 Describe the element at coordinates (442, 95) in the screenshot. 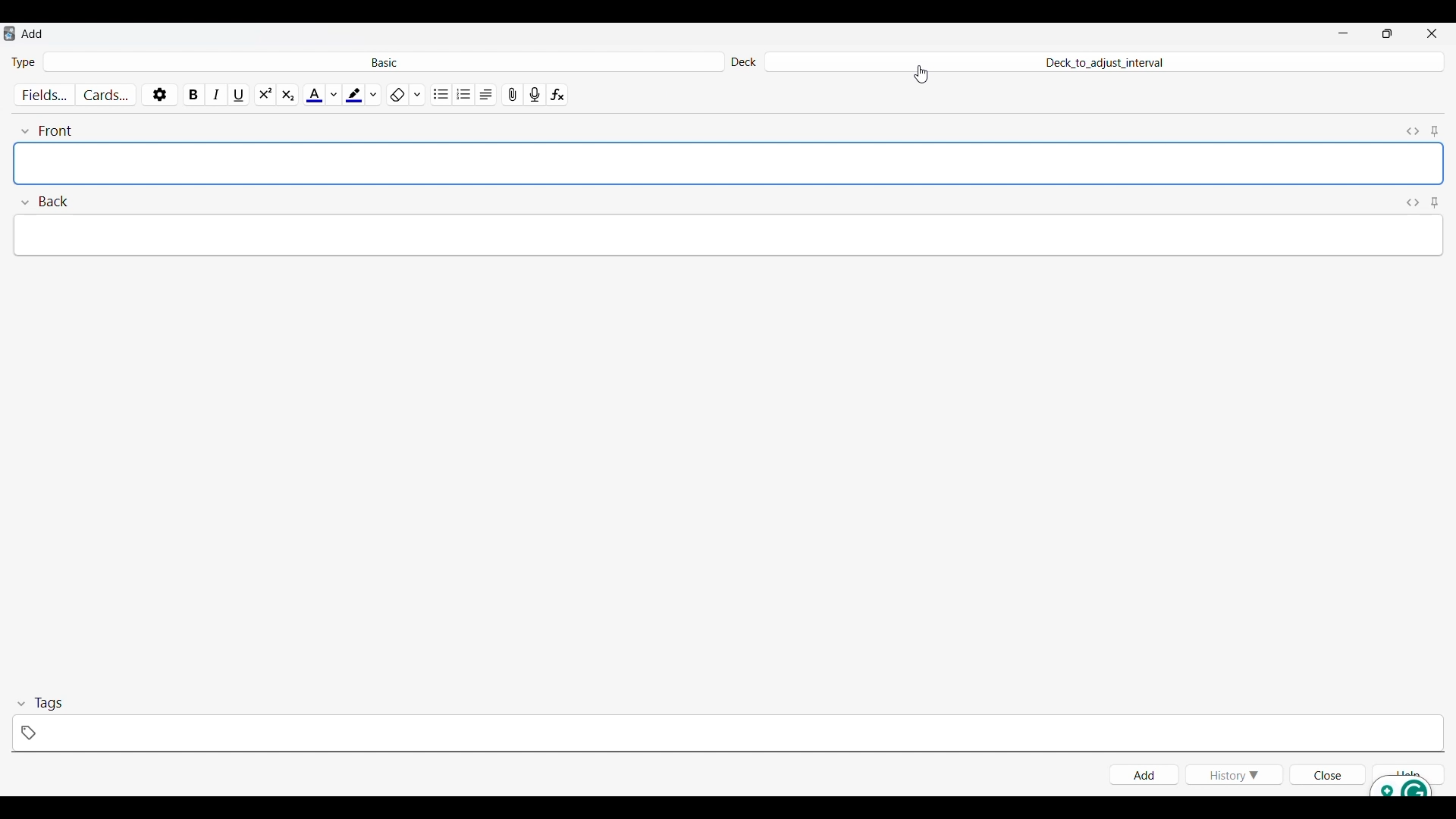

I see `Unordered list` at that location.